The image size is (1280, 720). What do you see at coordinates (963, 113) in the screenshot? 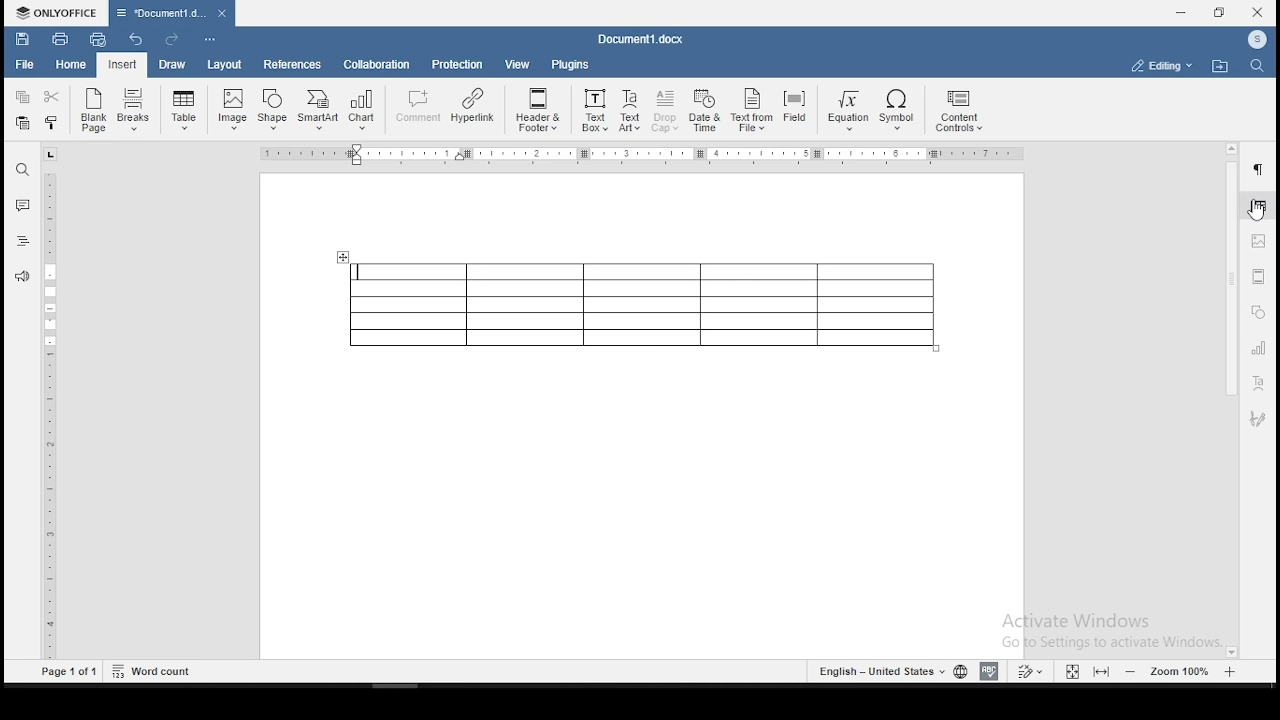
I see `content controls` at bounding box center [963, 113].